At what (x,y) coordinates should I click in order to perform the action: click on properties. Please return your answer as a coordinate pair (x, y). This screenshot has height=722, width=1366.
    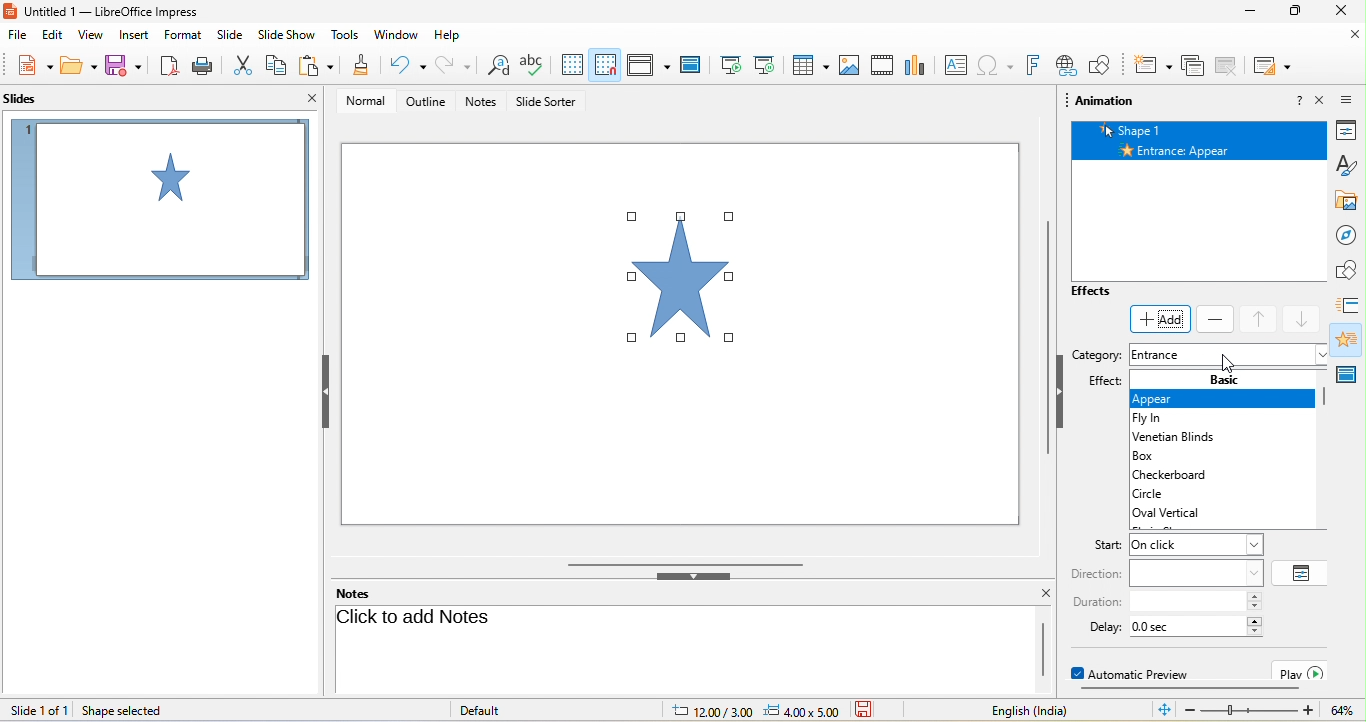
    Looking at the image, I should click on (1351, 130).